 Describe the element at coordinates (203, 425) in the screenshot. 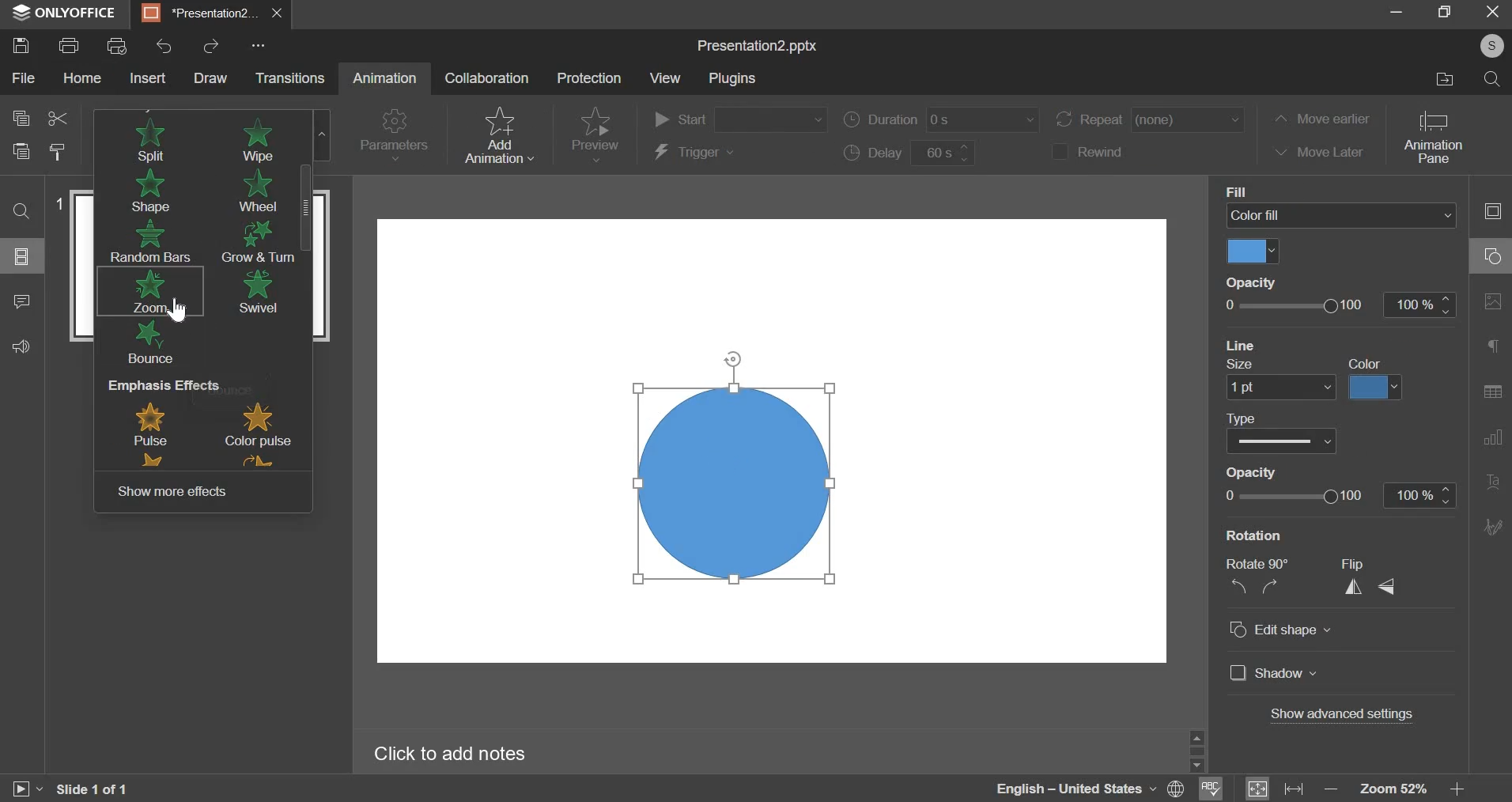

I see `emphasis effects` at that location.